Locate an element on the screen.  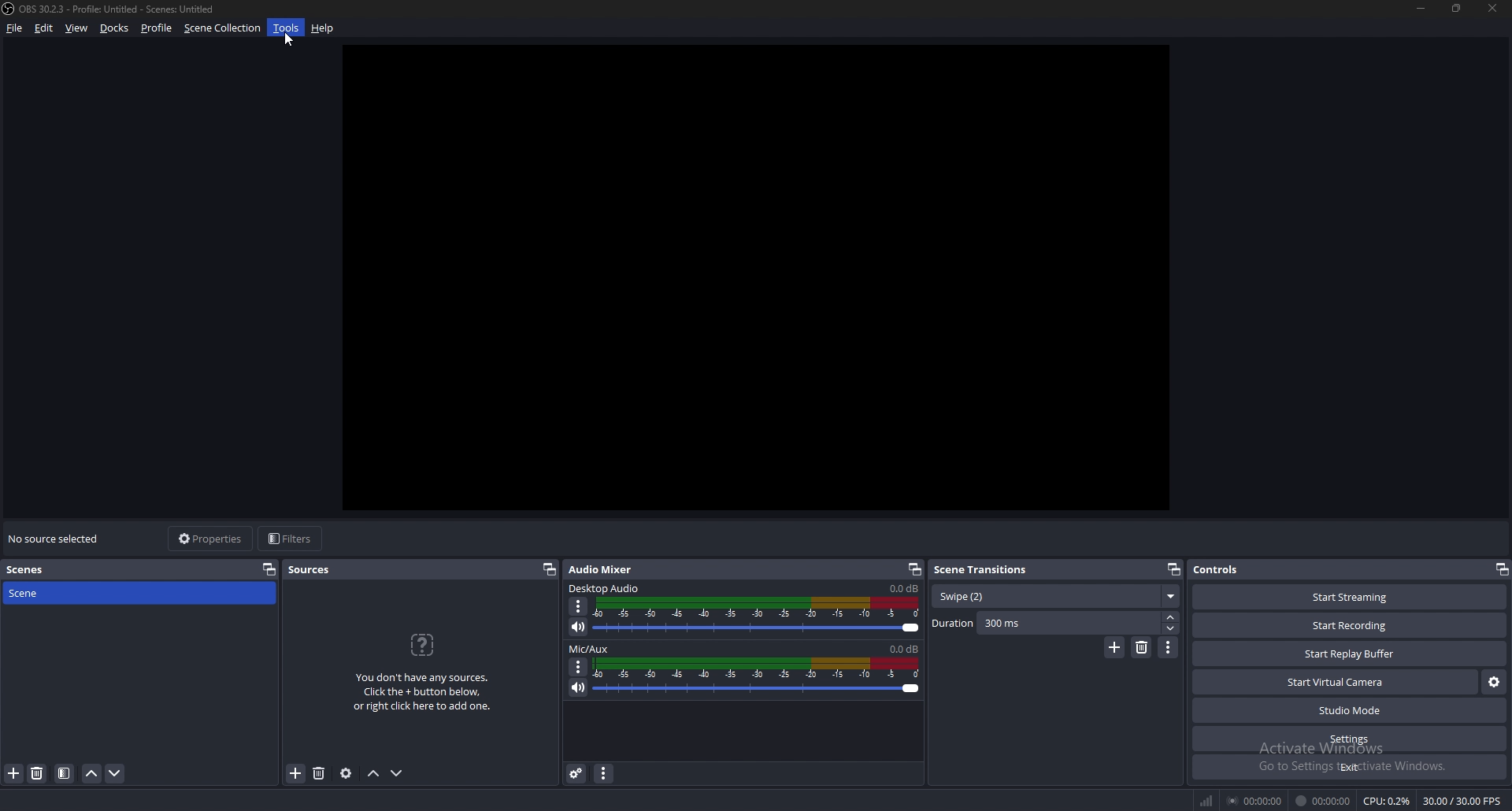
file is located at coordinates (16, 28).